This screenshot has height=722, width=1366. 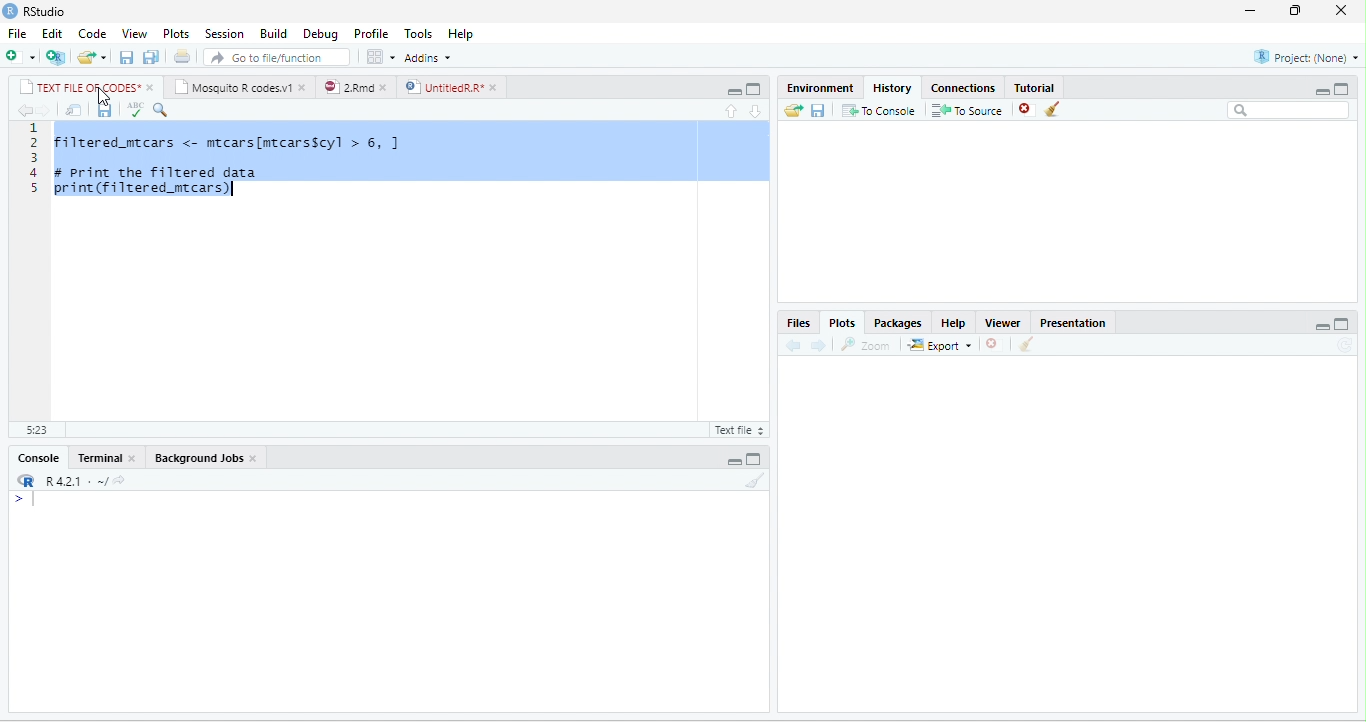 What do you see at coordinates (304, 89) in the screenshot?
I see `close` at bounding box center [304, 89].